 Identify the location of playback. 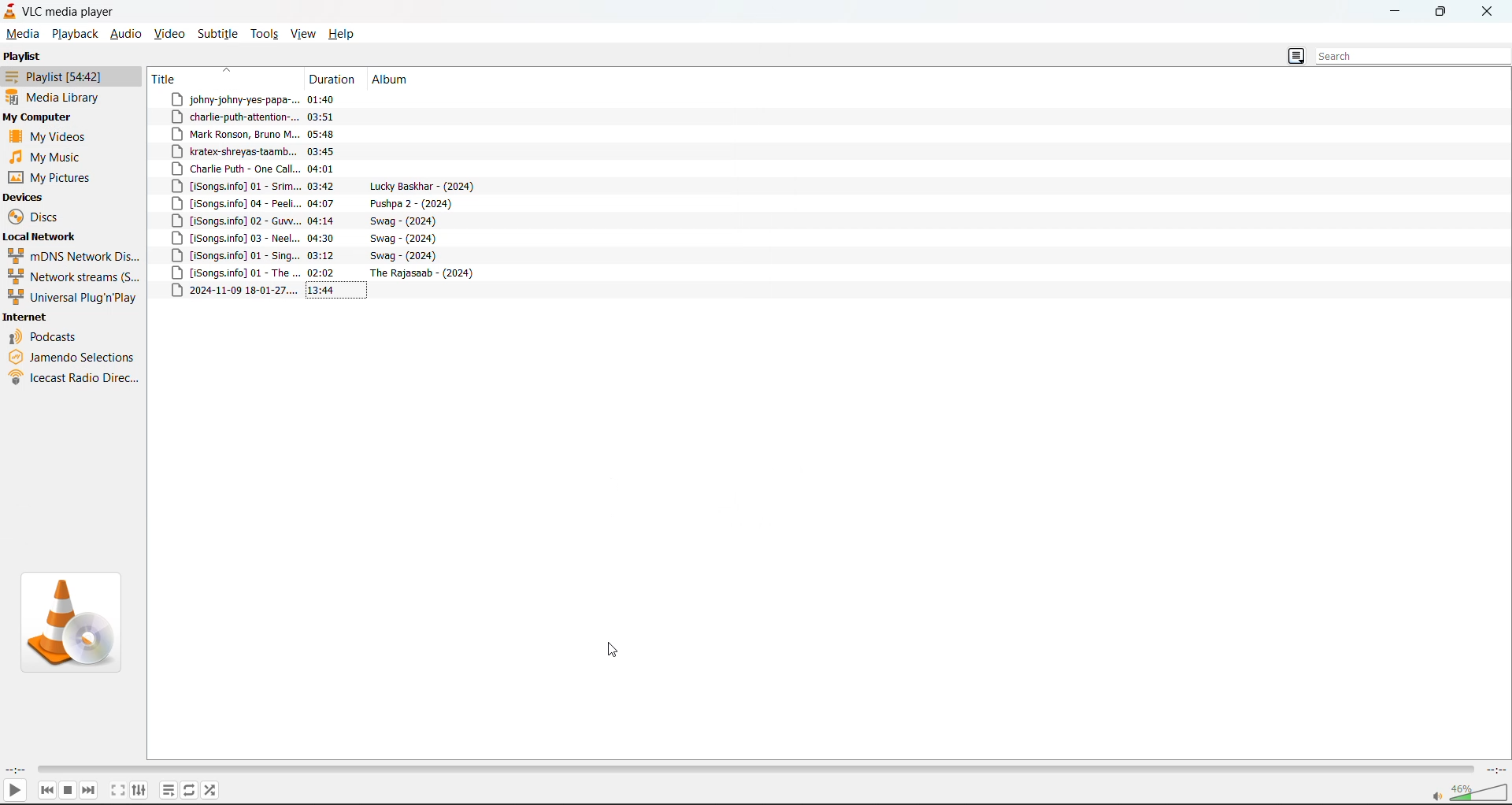
(74, 34).